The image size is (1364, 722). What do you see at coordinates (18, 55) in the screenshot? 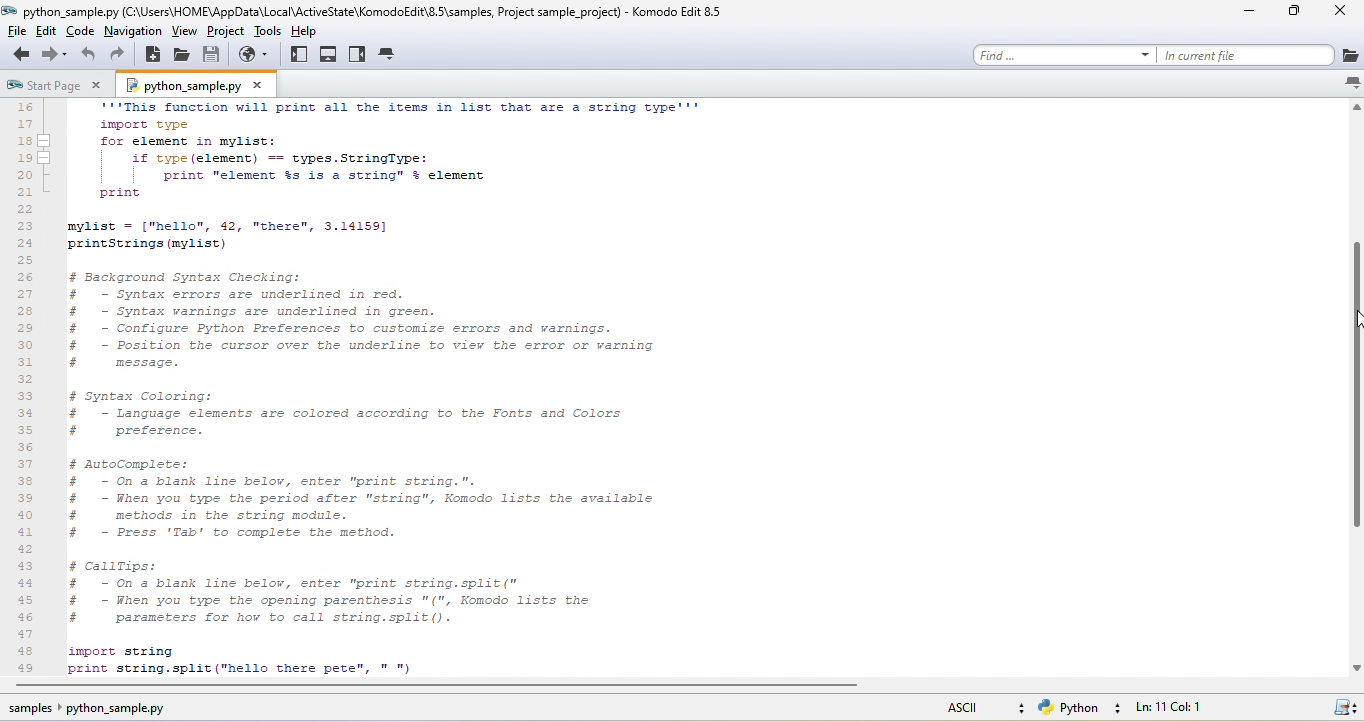
I see `back` at bounding box center [18, 55].